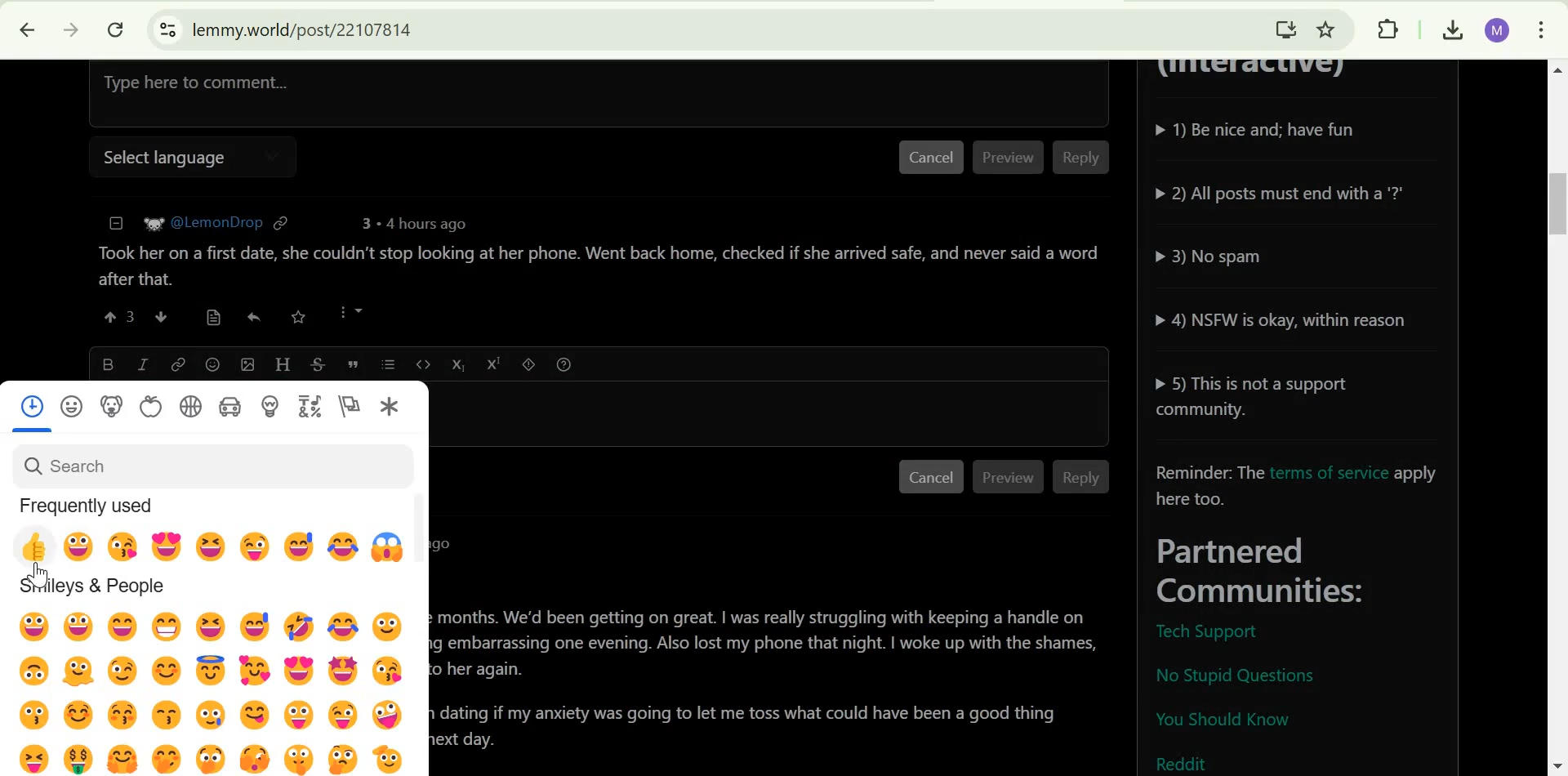  Describe the element at coordinates (456, 363) in the screenshot. I see `subscript` at that location.